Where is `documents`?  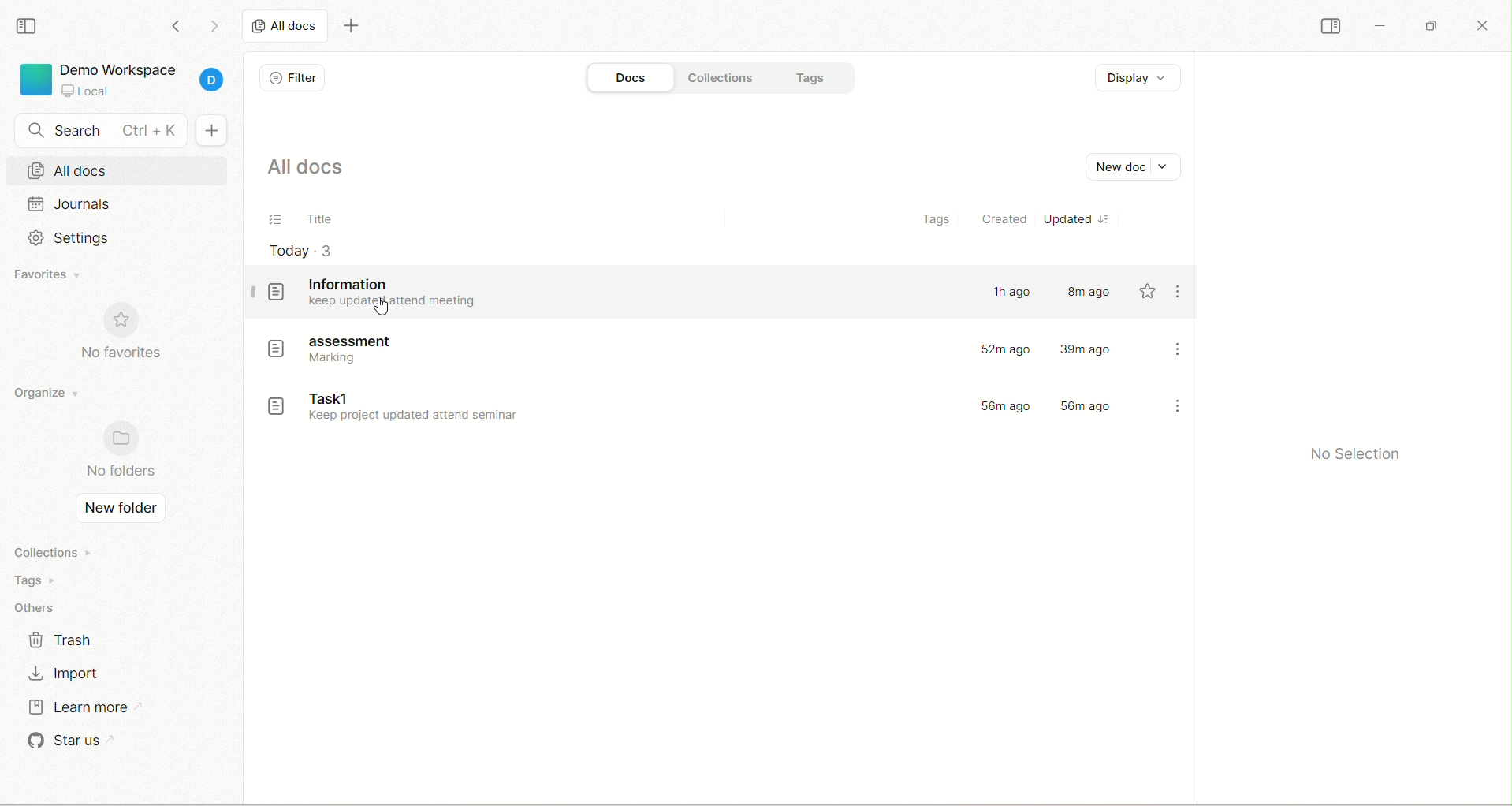
documents is located at coordinates (387, 297).